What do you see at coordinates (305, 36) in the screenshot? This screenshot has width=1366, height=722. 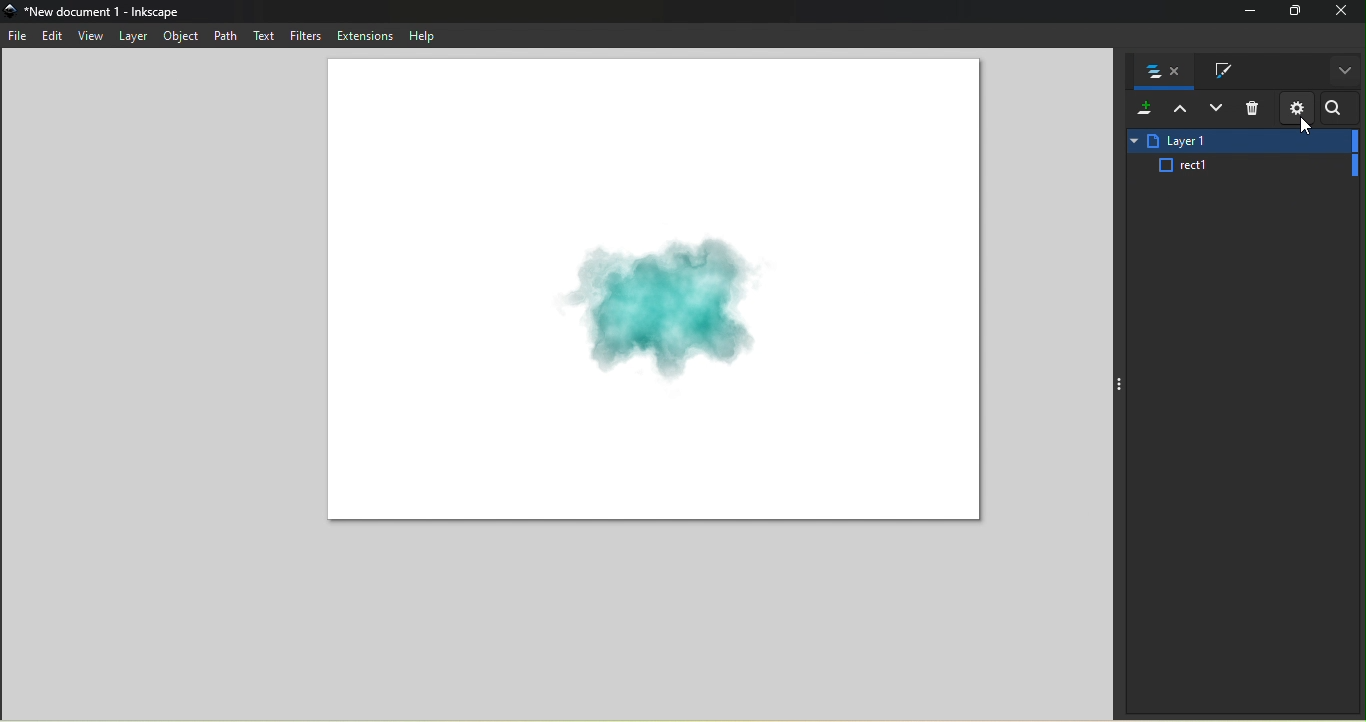 I see `Filters` at bounding box center [305, 36].